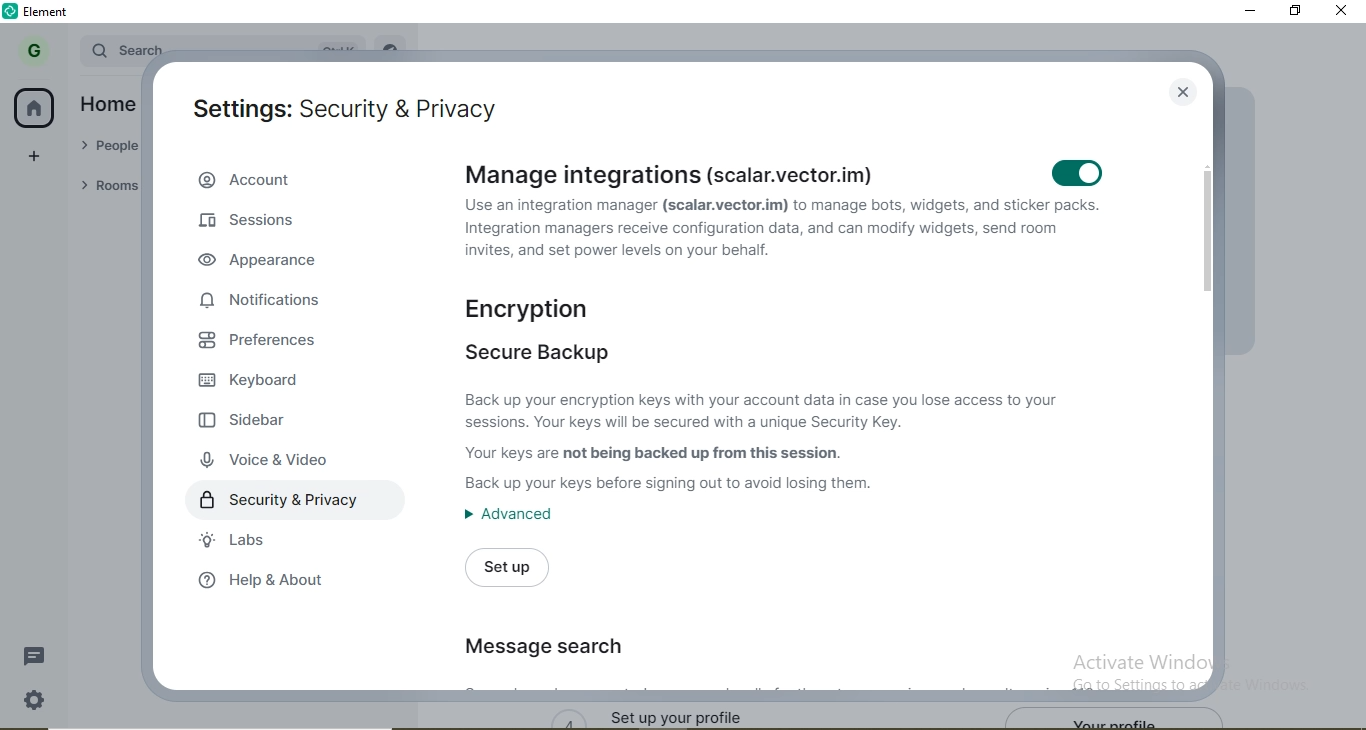 The height and width of the screenshot is (730, 1366). I want to click on search bar, so click(127, 49).